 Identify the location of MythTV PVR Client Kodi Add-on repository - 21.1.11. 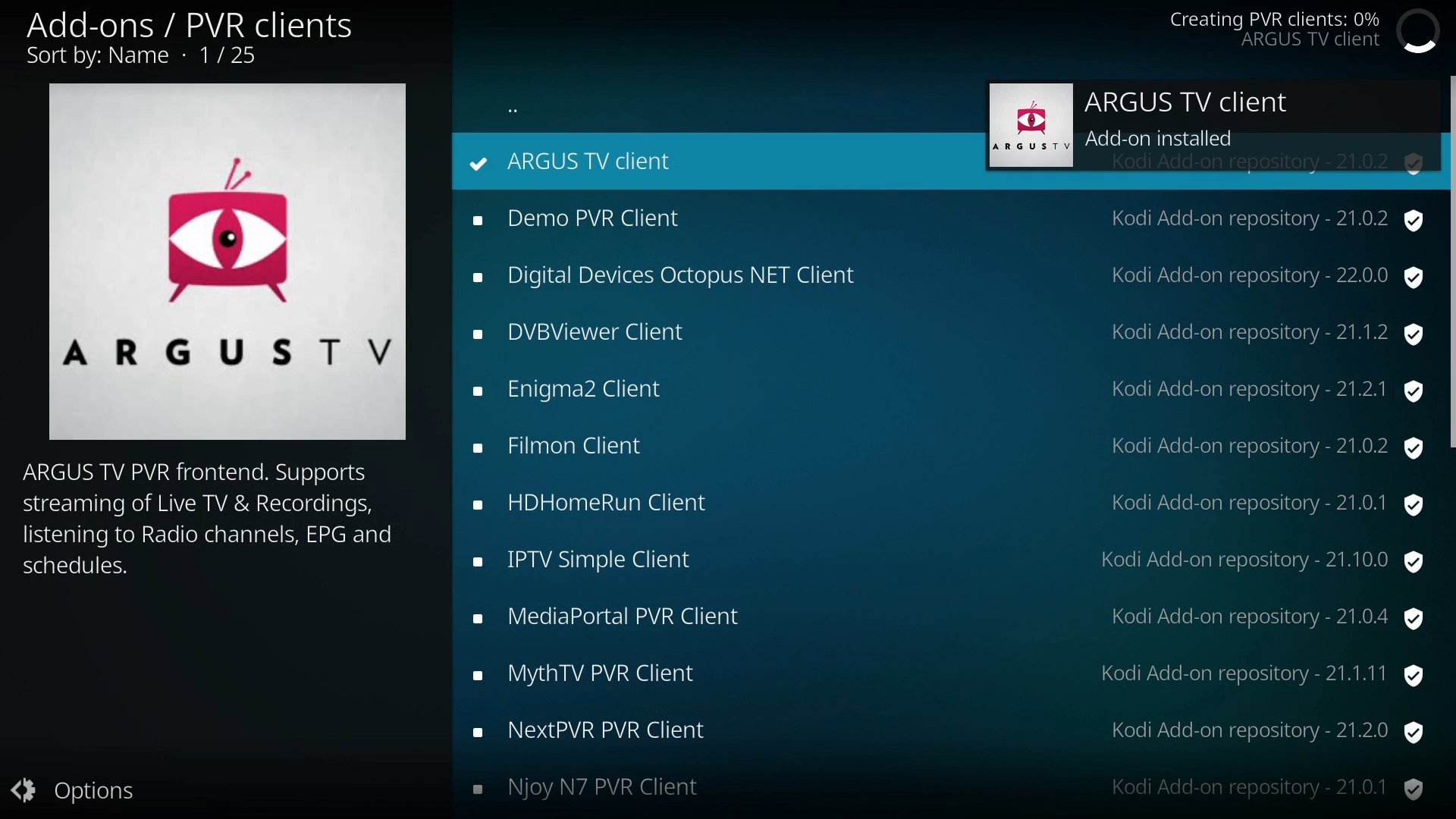
(945, 674).